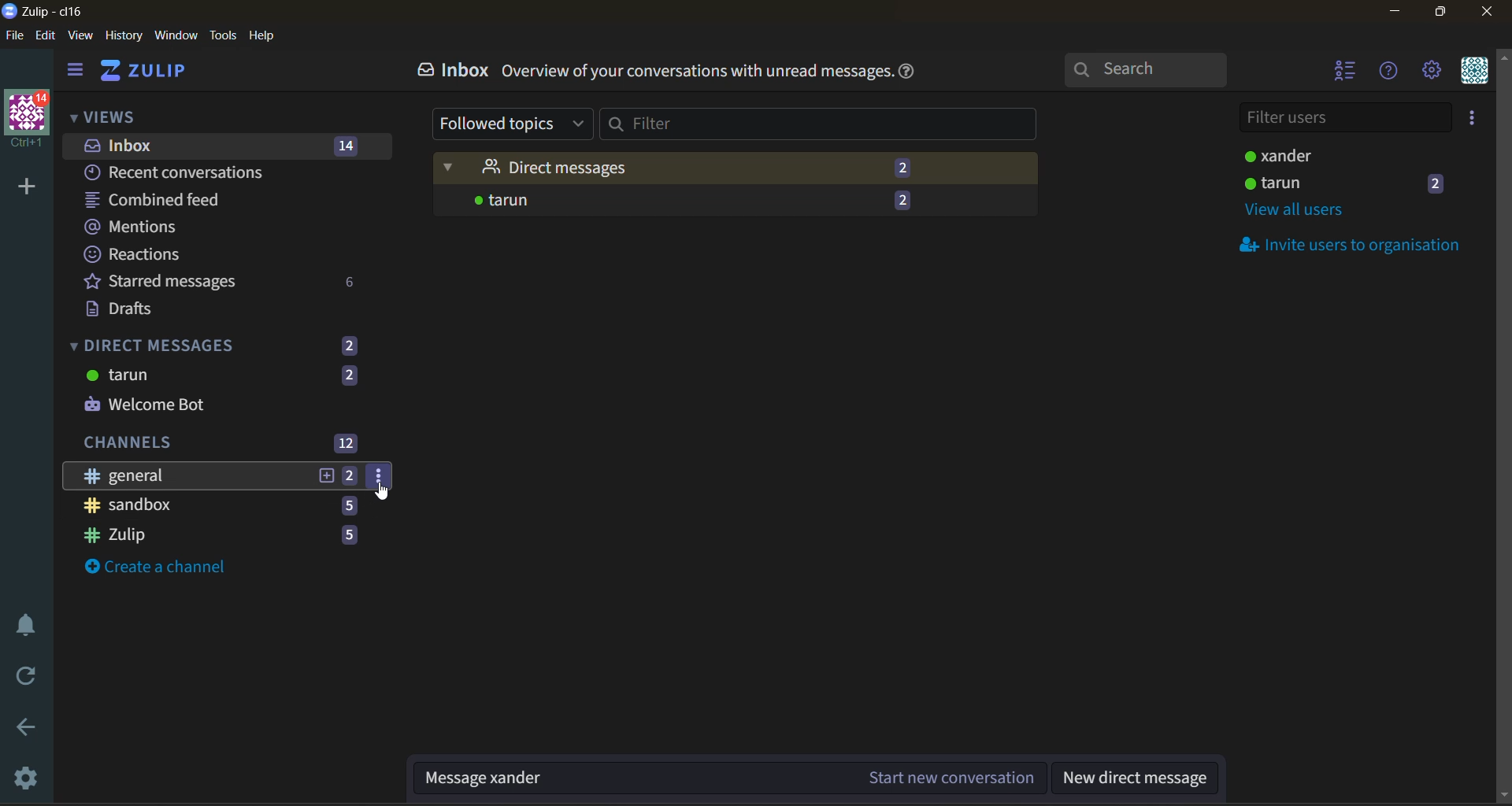 This screenshot has width=1512, height=806. What do you see at coordinates (143, 228) in the screenshot?
I see `mentions` at bounding box center [143, 228].